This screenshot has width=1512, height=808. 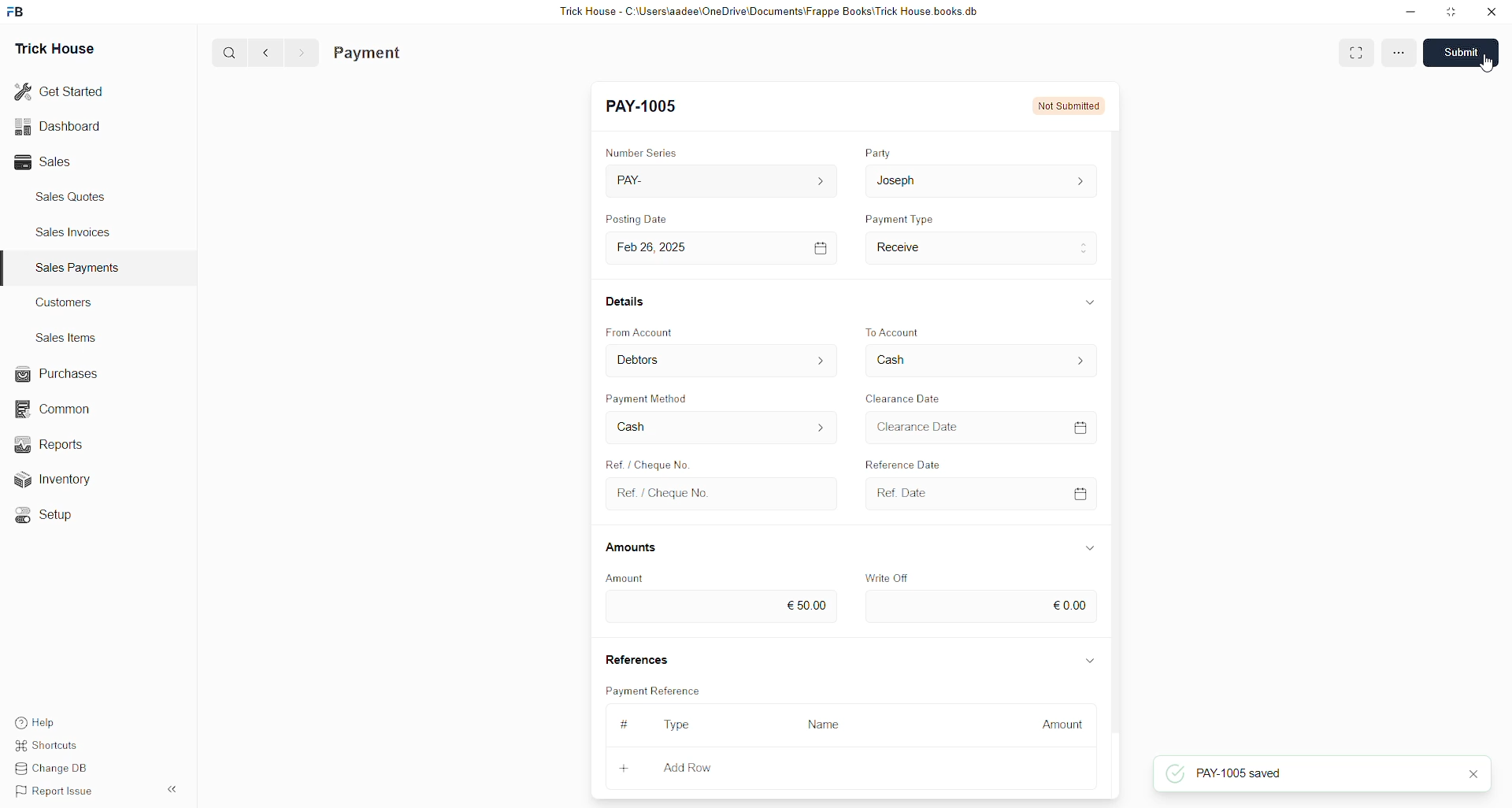 I want to click on Name, so click(x=828, y=726).